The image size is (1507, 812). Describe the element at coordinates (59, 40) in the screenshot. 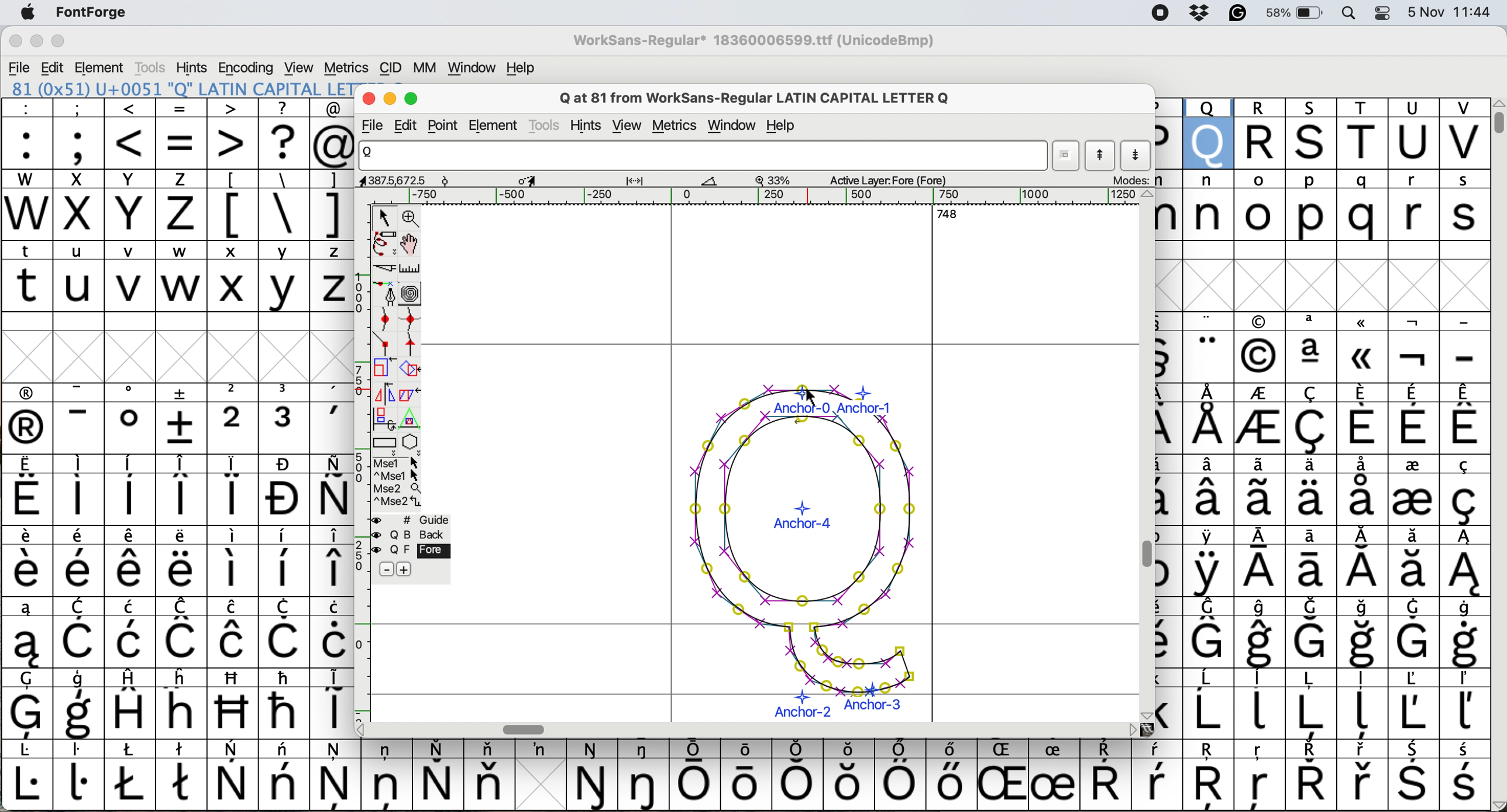

I see `maximise` at that location.